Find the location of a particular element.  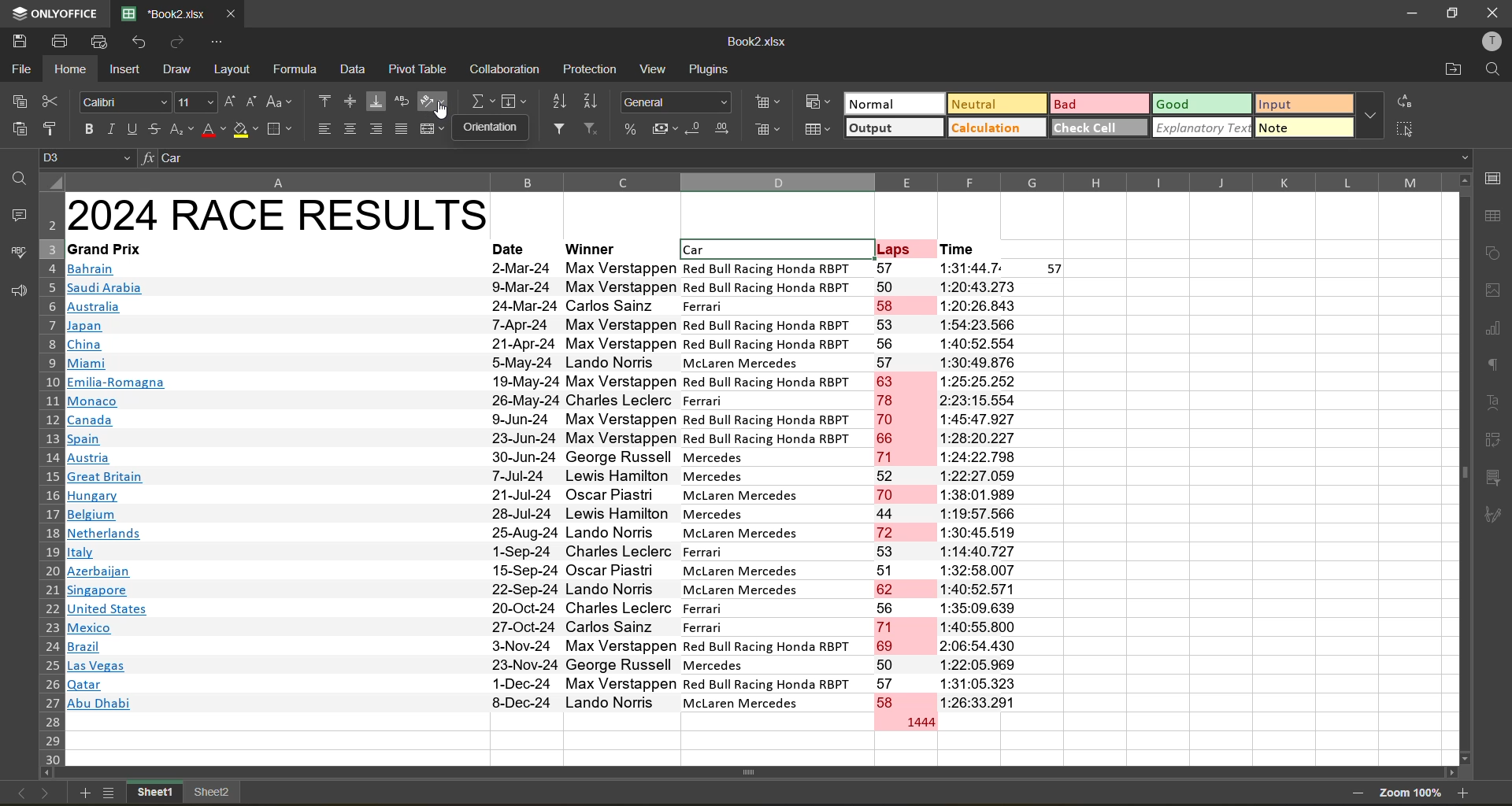

minimize is located at coordinates (1411, 14).